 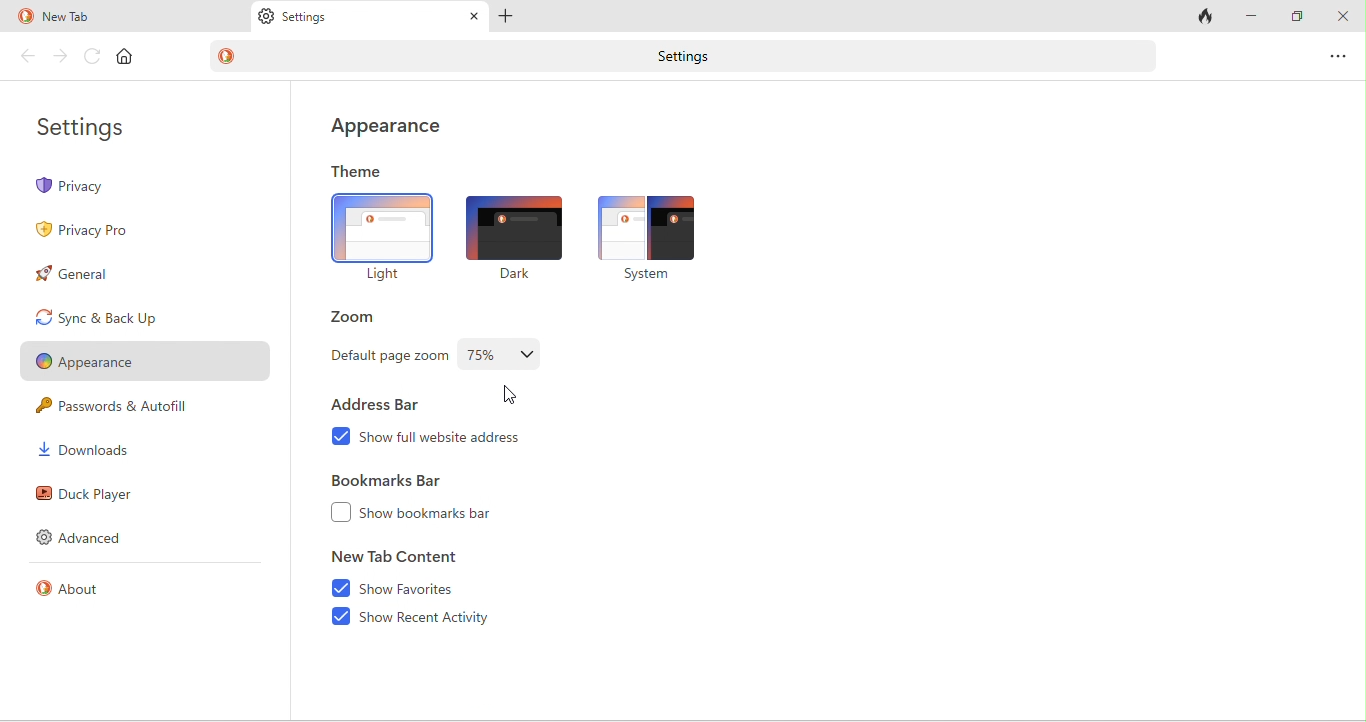 I want to click on close, so click(x=470, y=16).